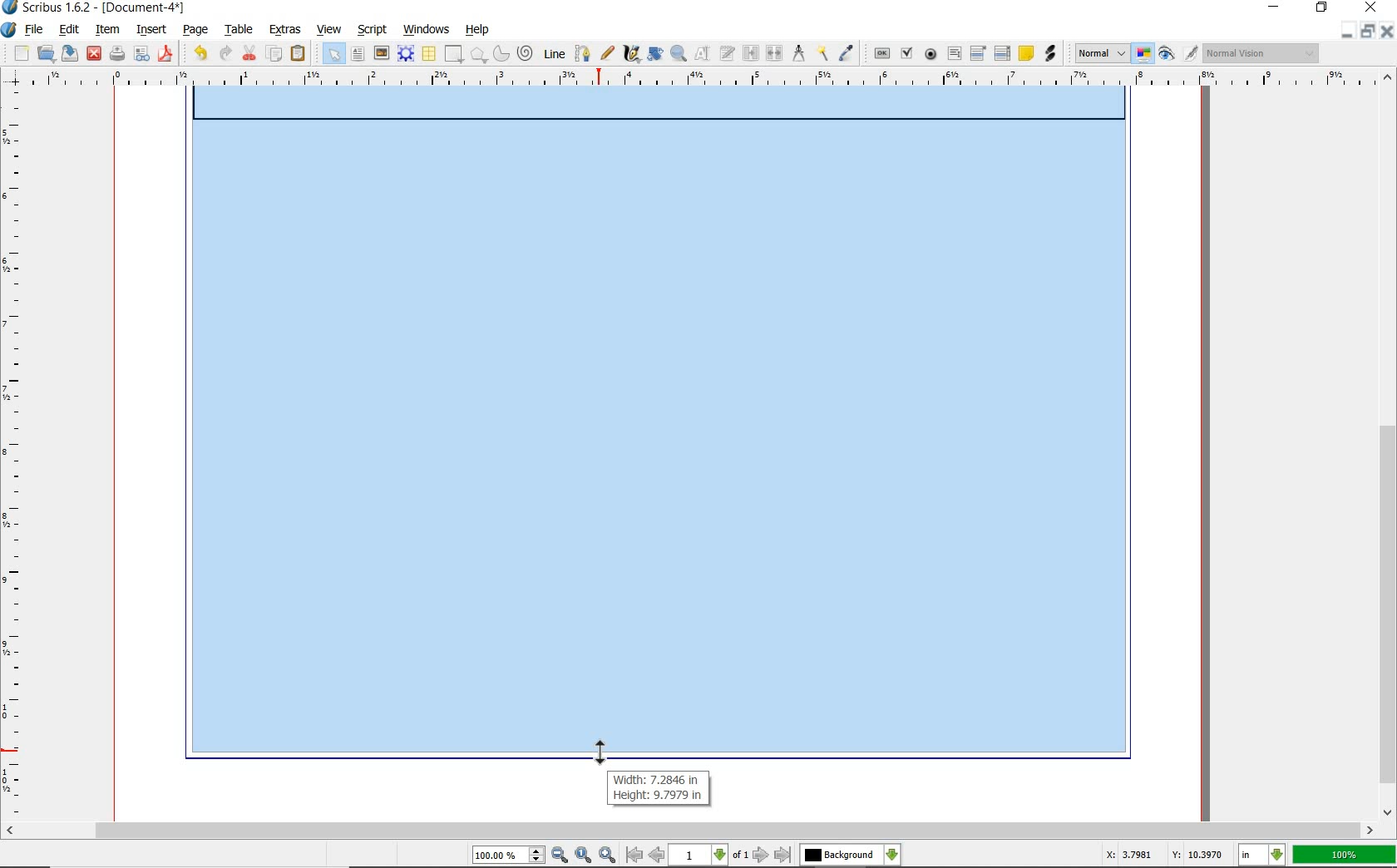 This screenshot has width=1397, height=868. What do you see at coordinates (847, 51) in the screenshot?
I see `eye dropper` at bounding box center [847, 51].